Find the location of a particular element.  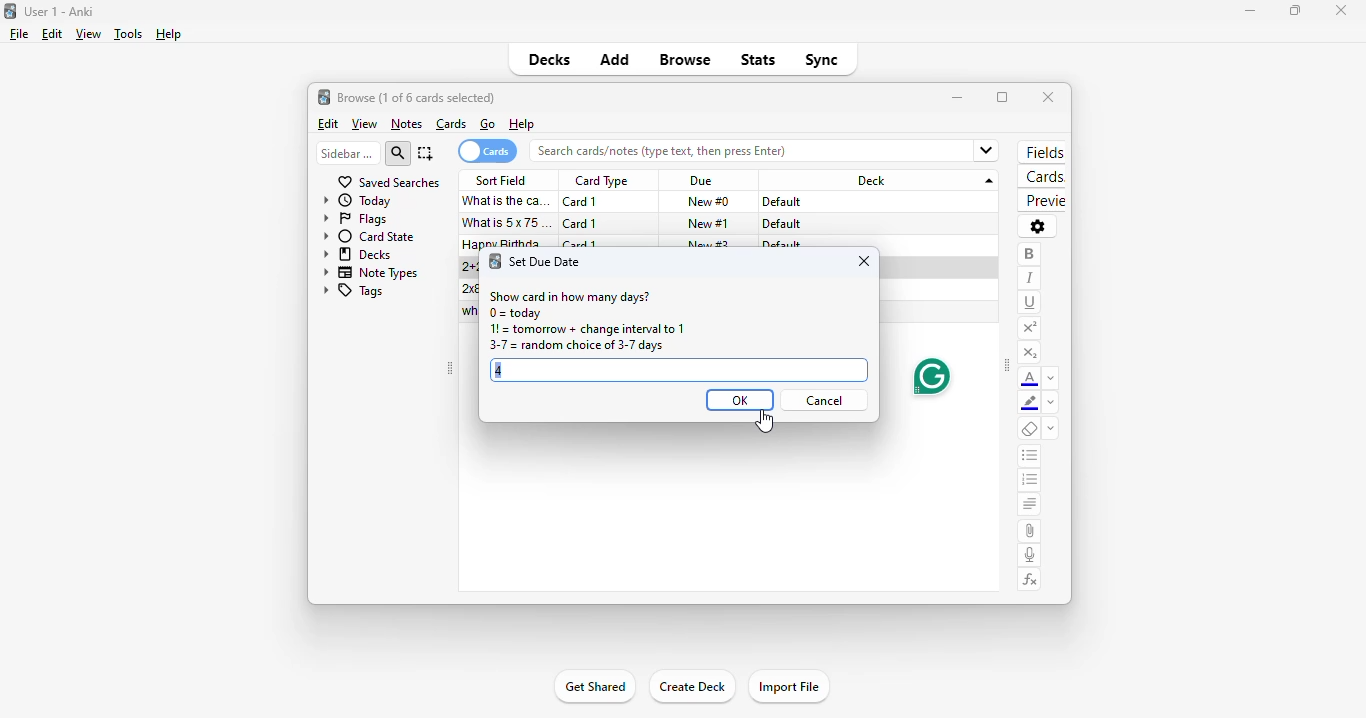

alignment is located at coordinates (1029, 506).